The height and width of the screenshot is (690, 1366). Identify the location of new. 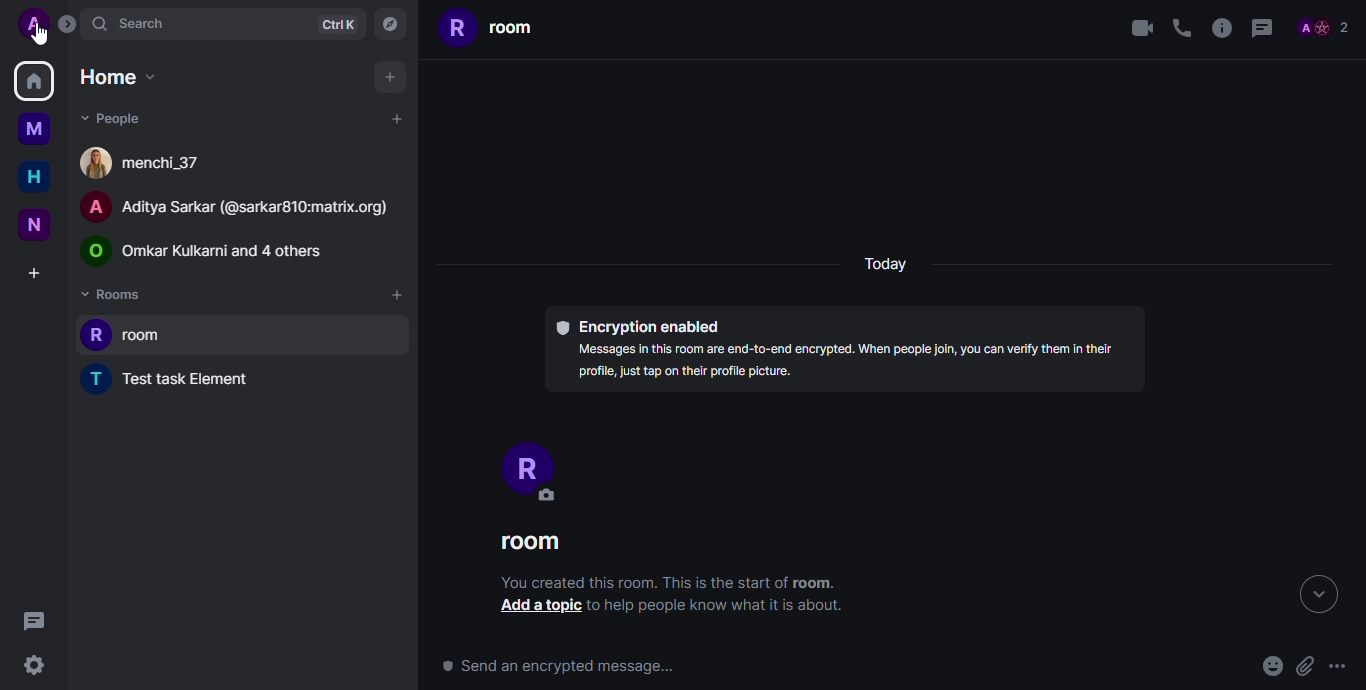
(36, 223).